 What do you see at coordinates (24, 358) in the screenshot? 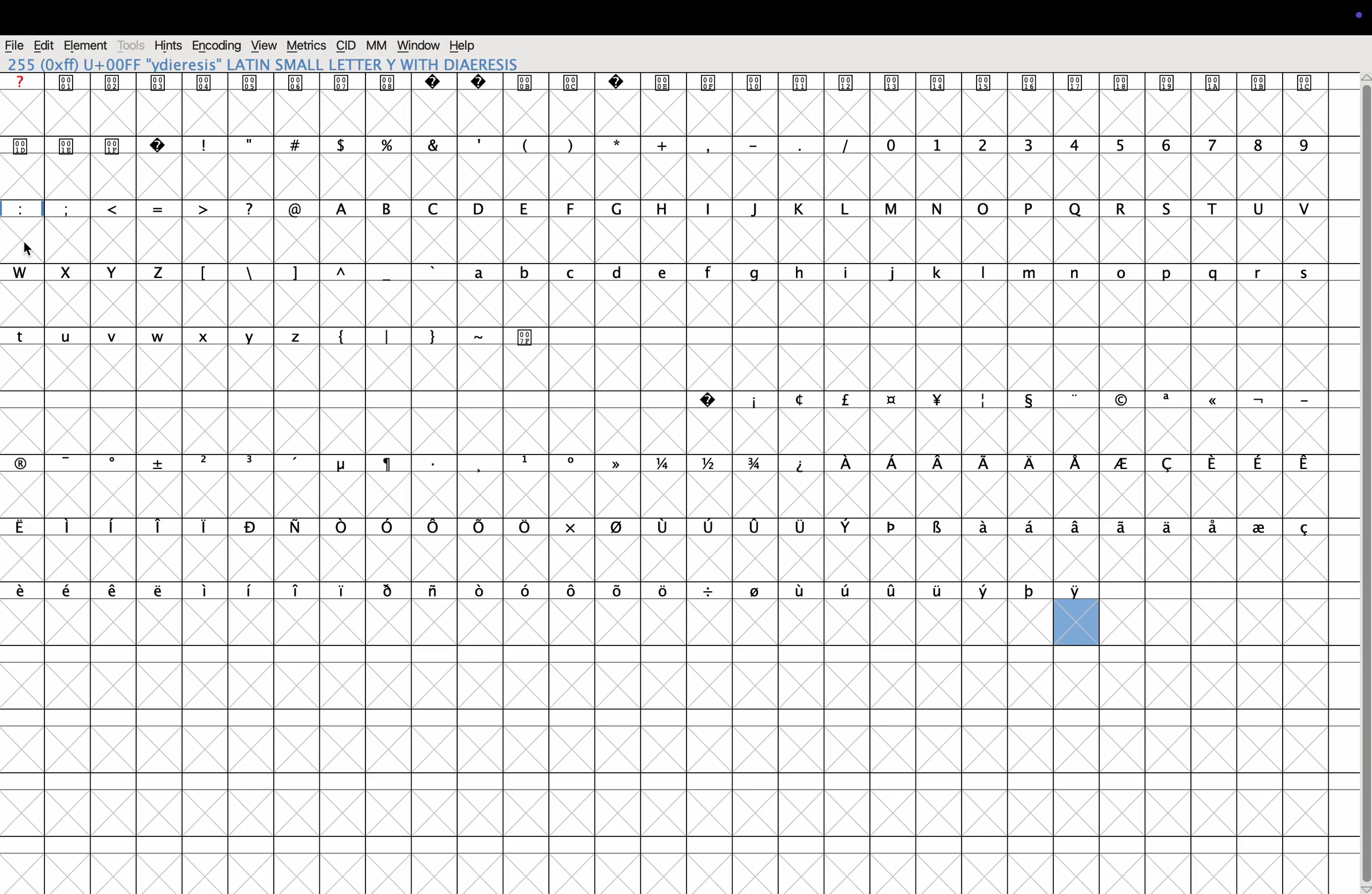
I see `t` at bounding box center [24, 358].